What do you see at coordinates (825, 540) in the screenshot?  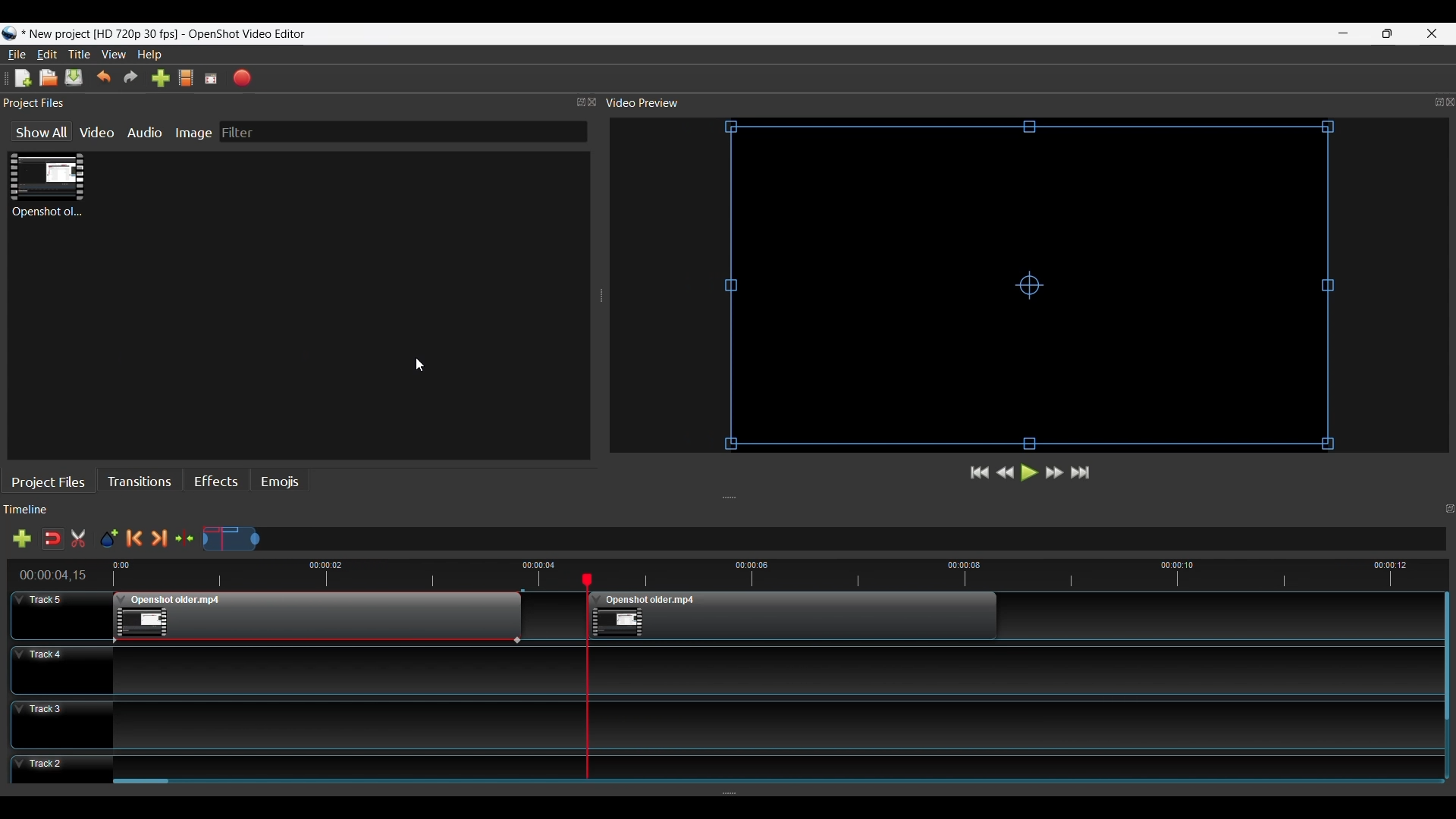 I see `Zoom Slider` at bounding box center [825, 540].